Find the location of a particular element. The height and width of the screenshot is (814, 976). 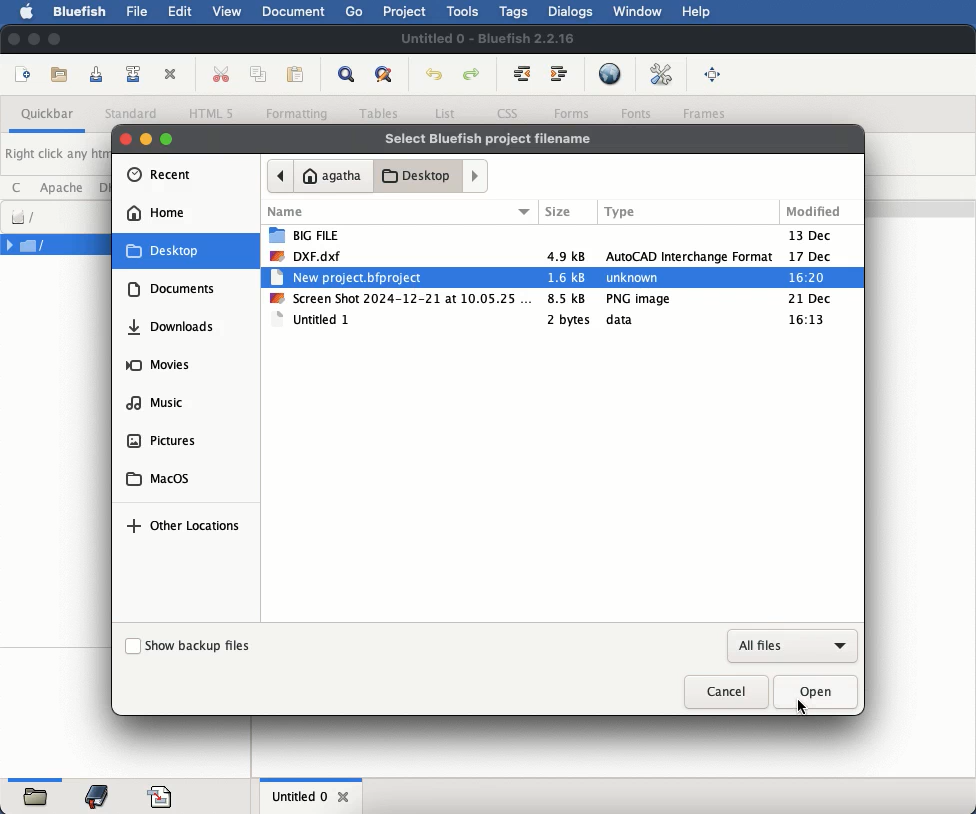

other locations is located at coordinates (185, 527).